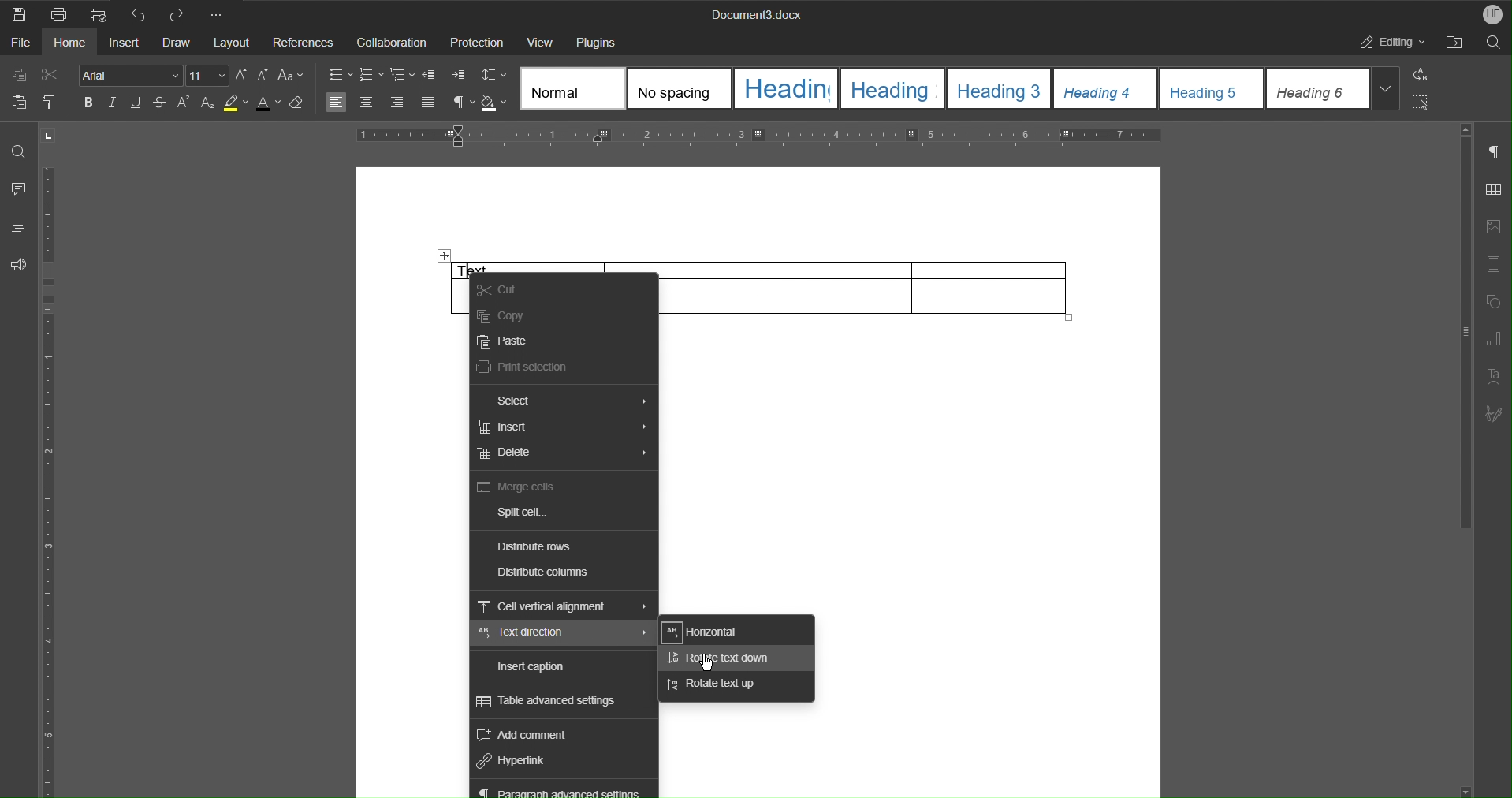 The height and width of the screenshot is (798, 1512). Describe the element at coordinates (503, 342) in the screenshot. I see `Paste` at that location.